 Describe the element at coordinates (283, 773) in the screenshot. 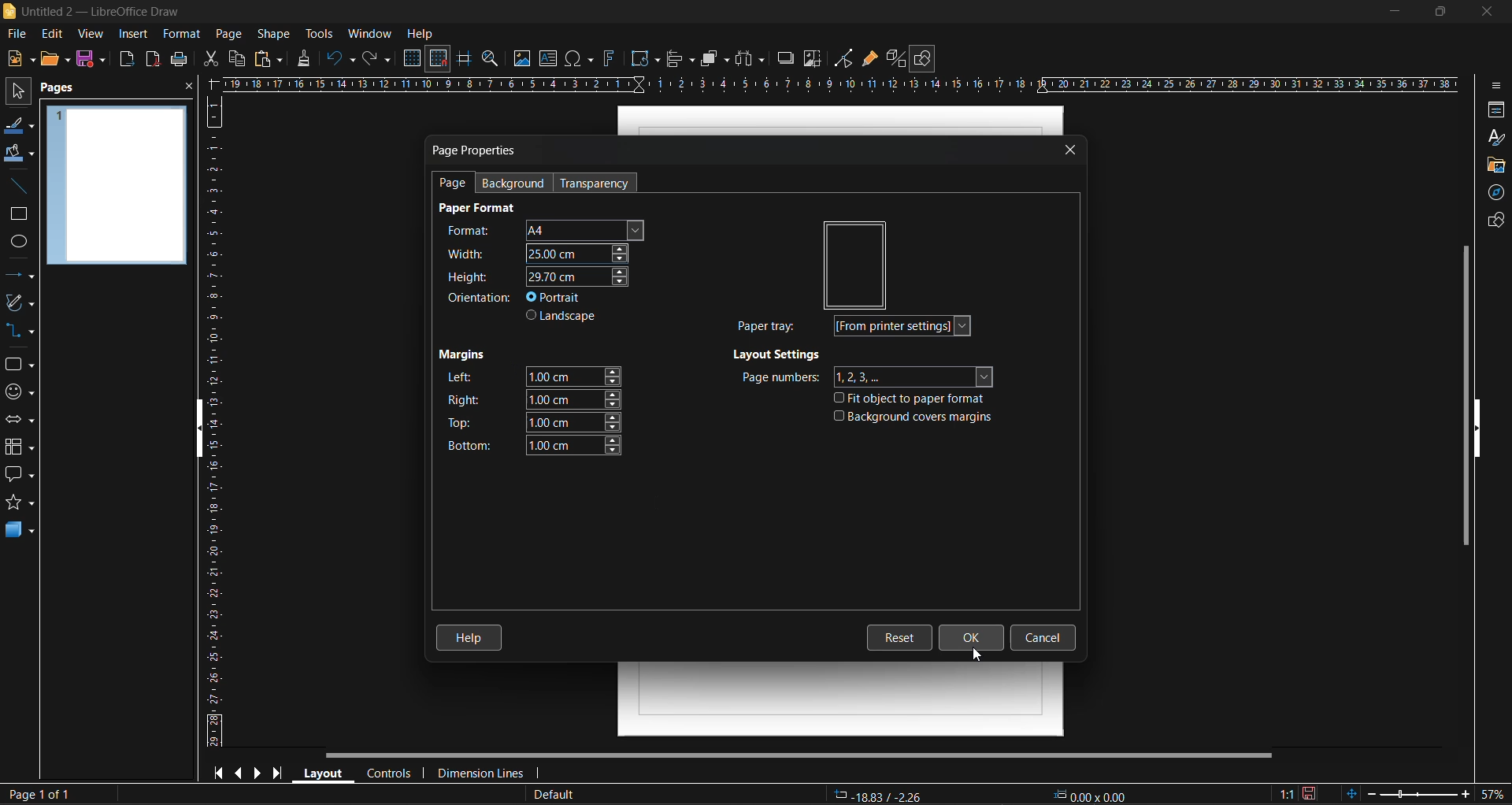

I see `last` at that location.